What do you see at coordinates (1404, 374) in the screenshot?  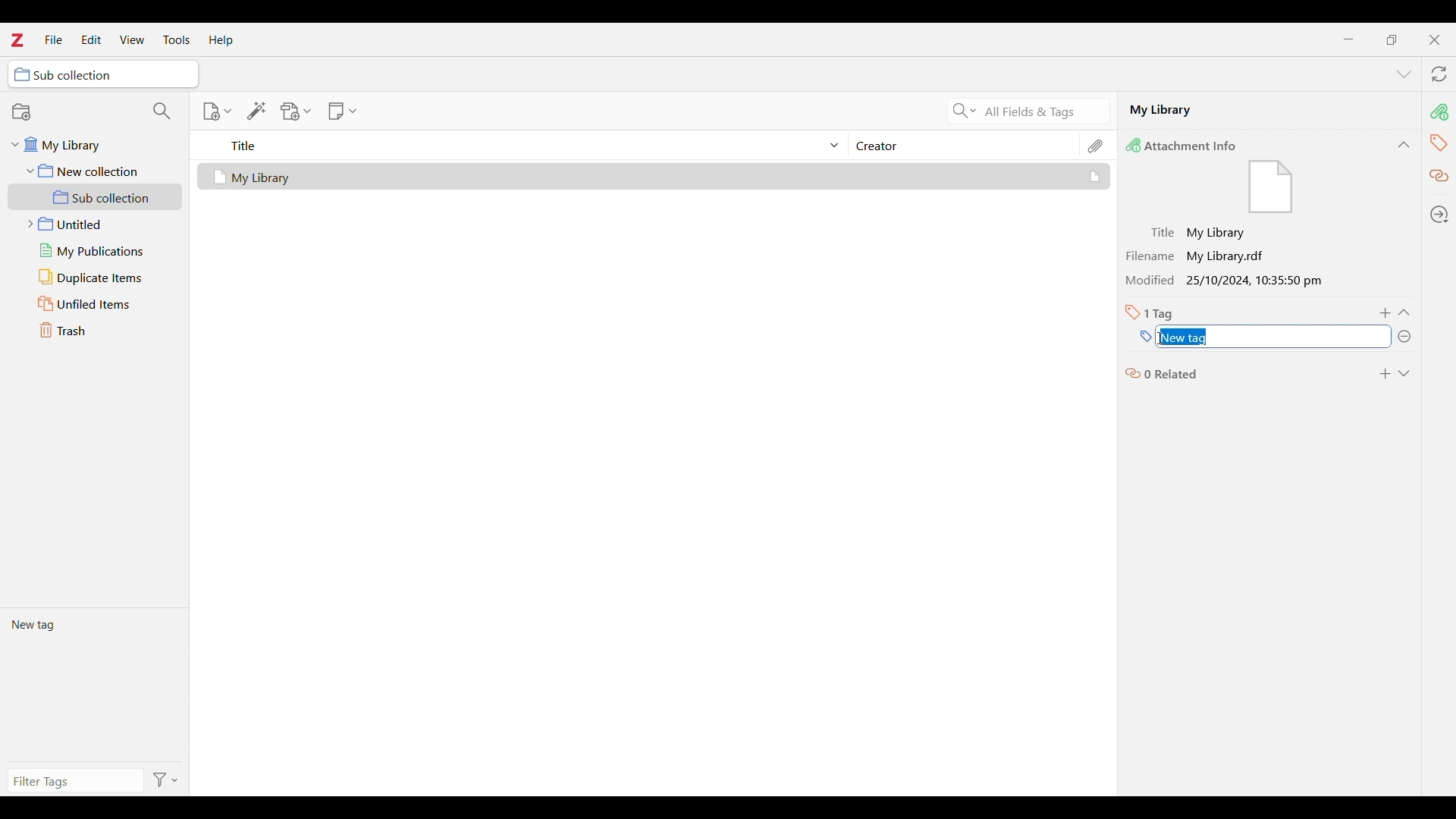 I see `Expand` at bounding box center [1404, 374].